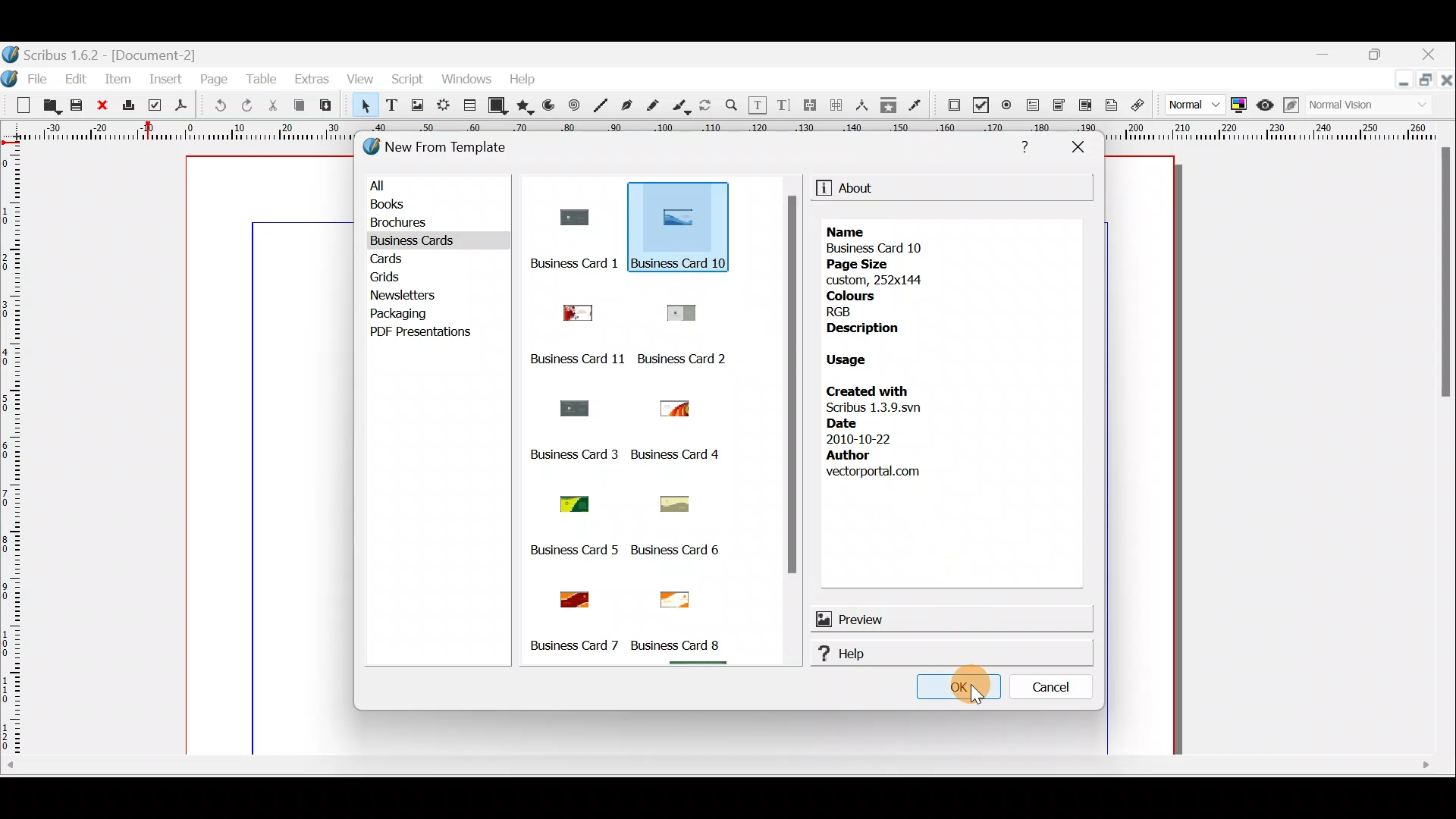  Describe the element at coordinates (808, 105) in the screenshot. I see `Link text frames` at that location.